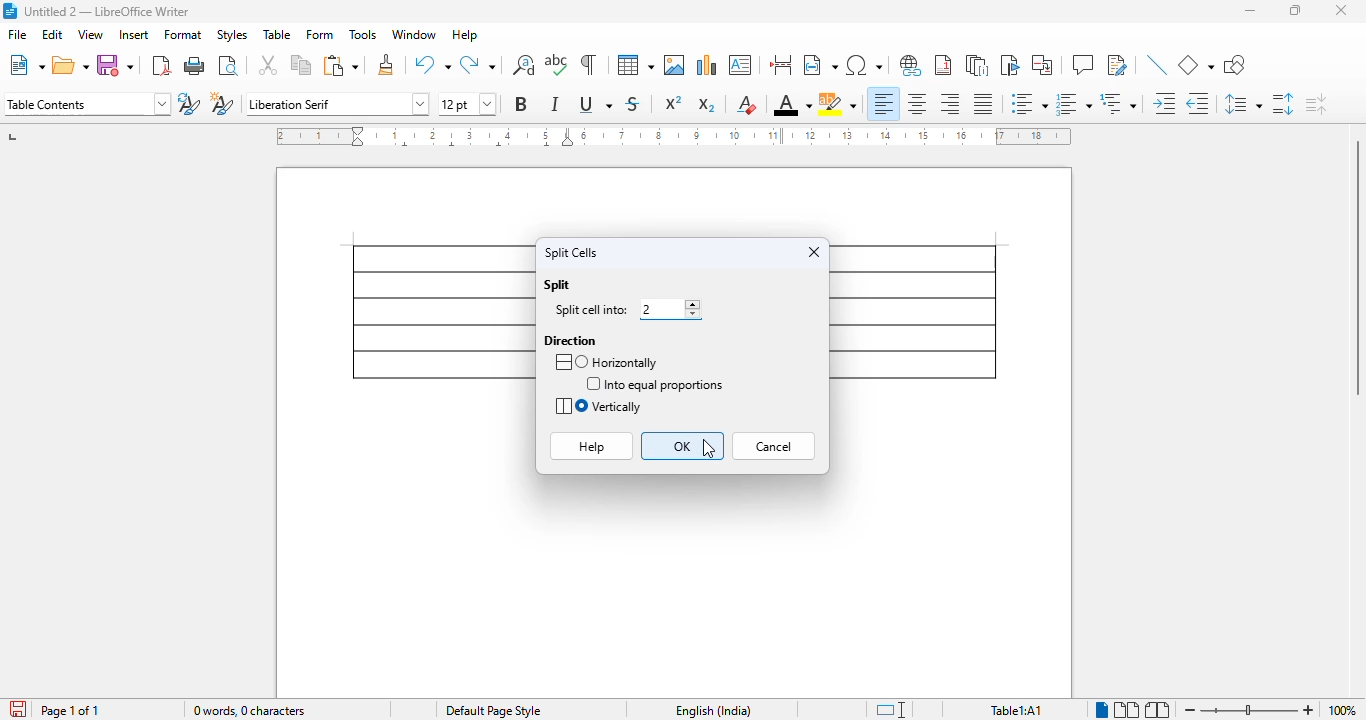 The width and height of the screenshot is (1366, 720). What do you see at coordinates (707, 65) in the screenshot?
I see `insert chart` at bounding box center [707, 65].